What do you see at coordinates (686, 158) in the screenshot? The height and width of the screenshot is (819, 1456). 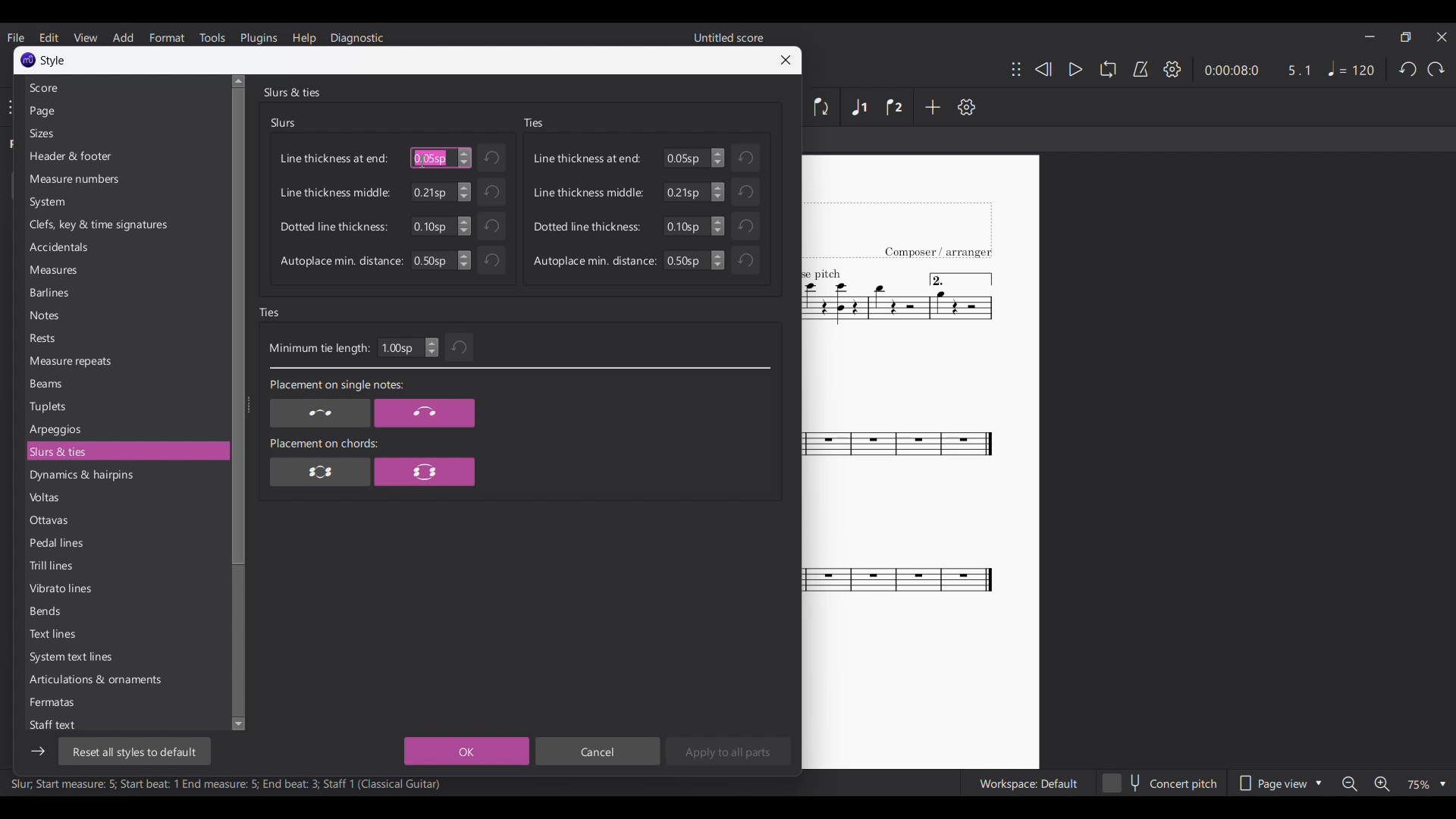 I see `Input numbers for line thickness at end` at bounding box center [686, 158].